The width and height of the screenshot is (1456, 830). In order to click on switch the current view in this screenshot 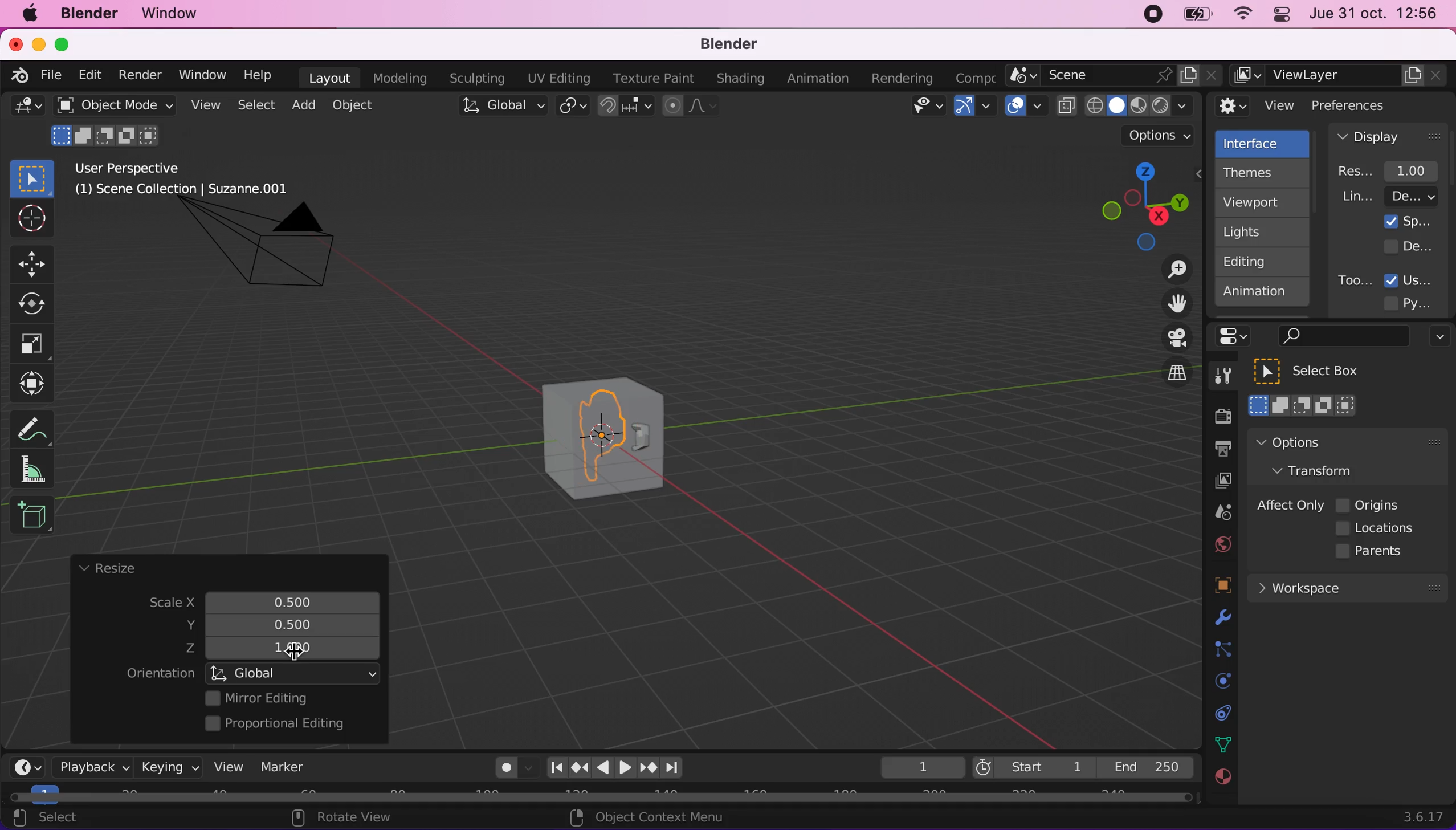, I will do `click(1165, 383)`.